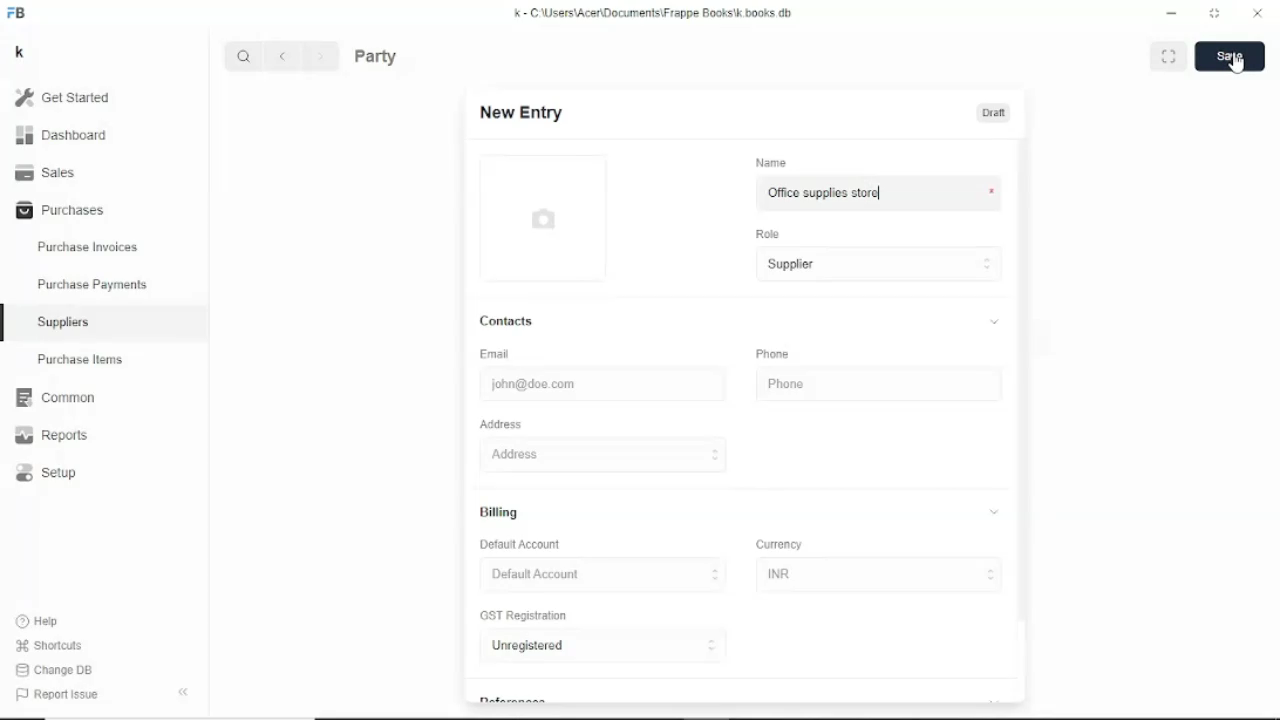  I want to click on Supplier, so click(881, 265).